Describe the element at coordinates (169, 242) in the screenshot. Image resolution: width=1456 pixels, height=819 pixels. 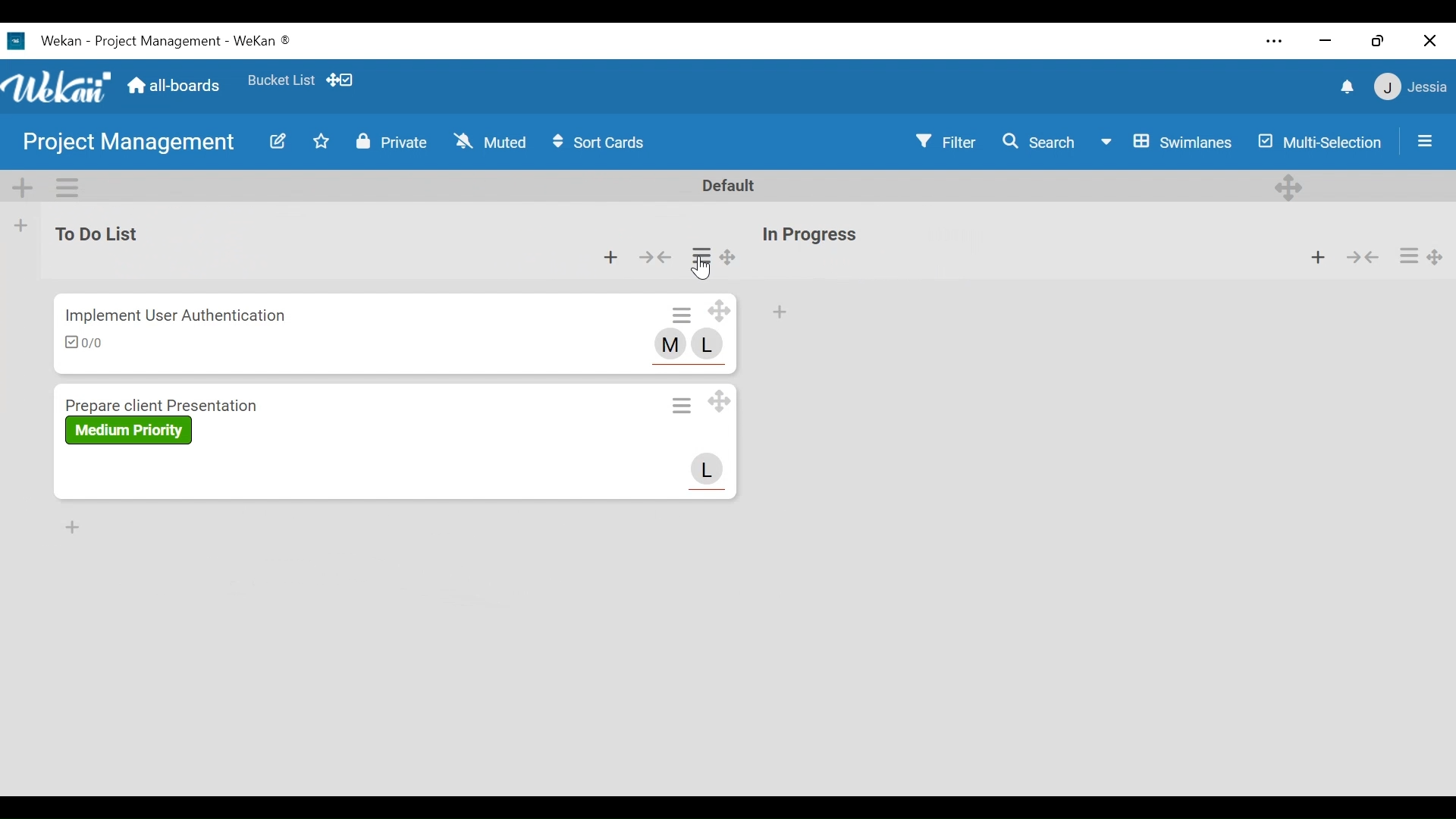
I see `List` at that location.